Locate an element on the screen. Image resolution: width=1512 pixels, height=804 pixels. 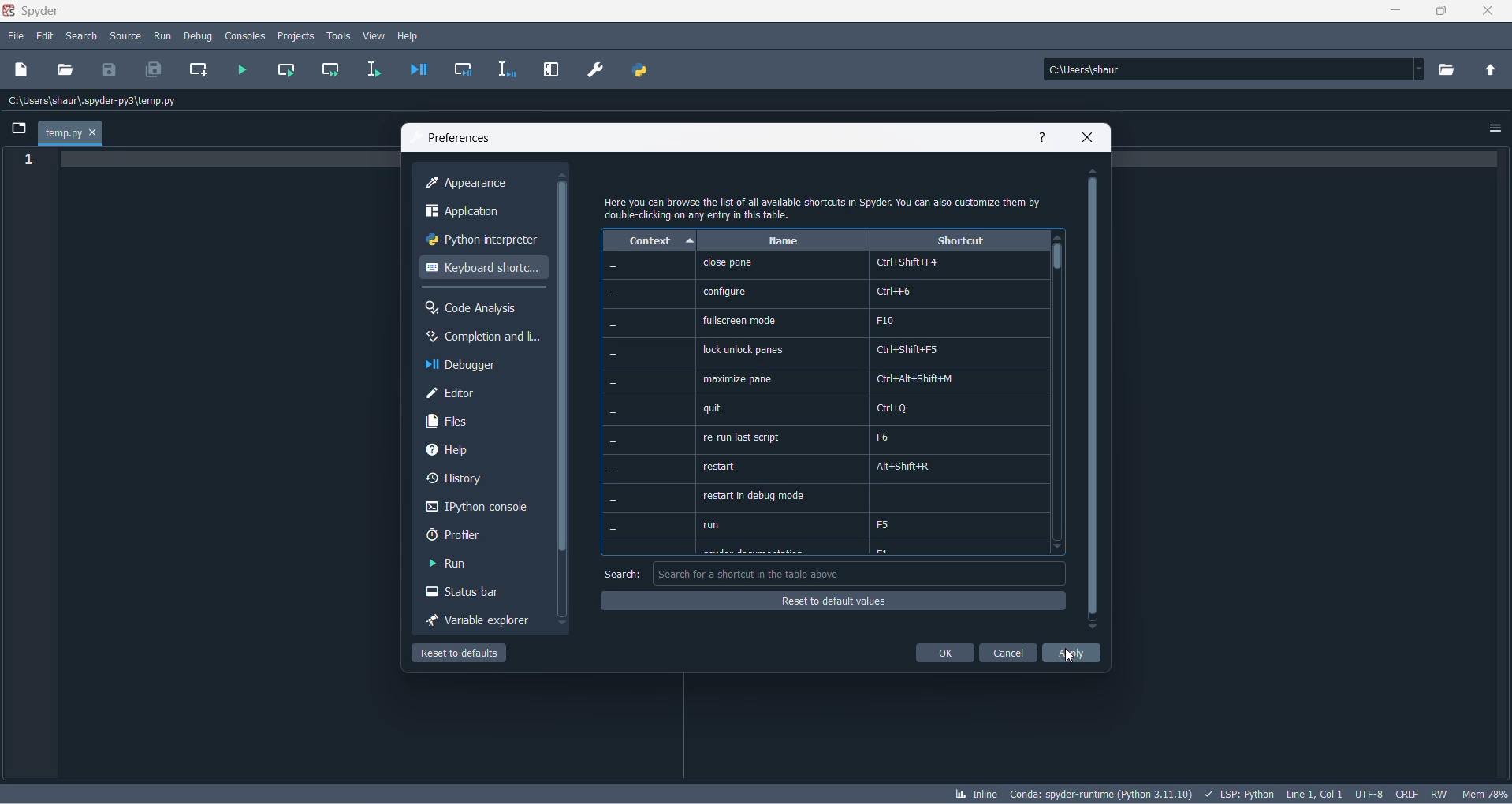
file control is located at coordinates (1443, 793).